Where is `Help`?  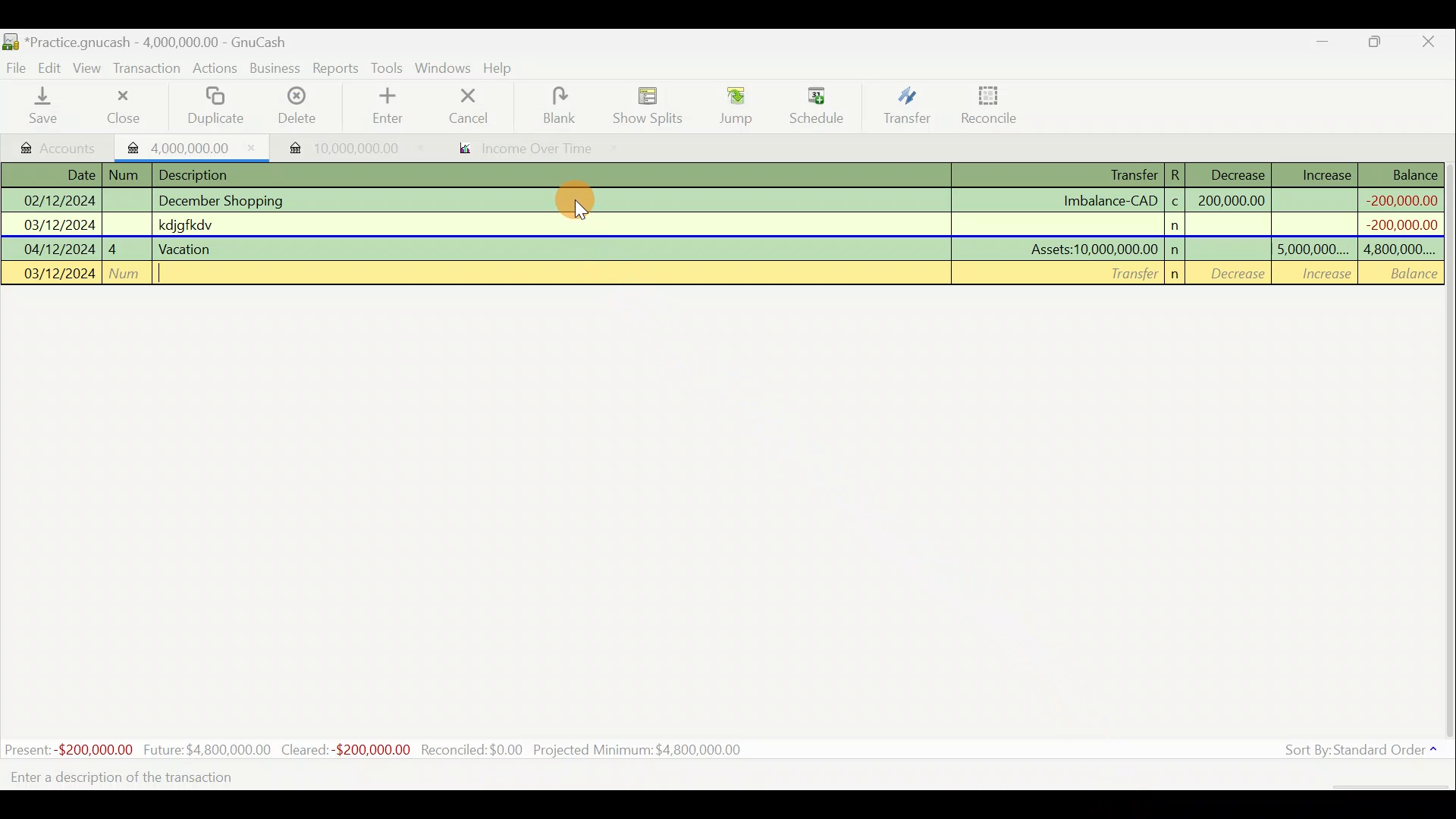 Help is located at coordinates (504, 68).